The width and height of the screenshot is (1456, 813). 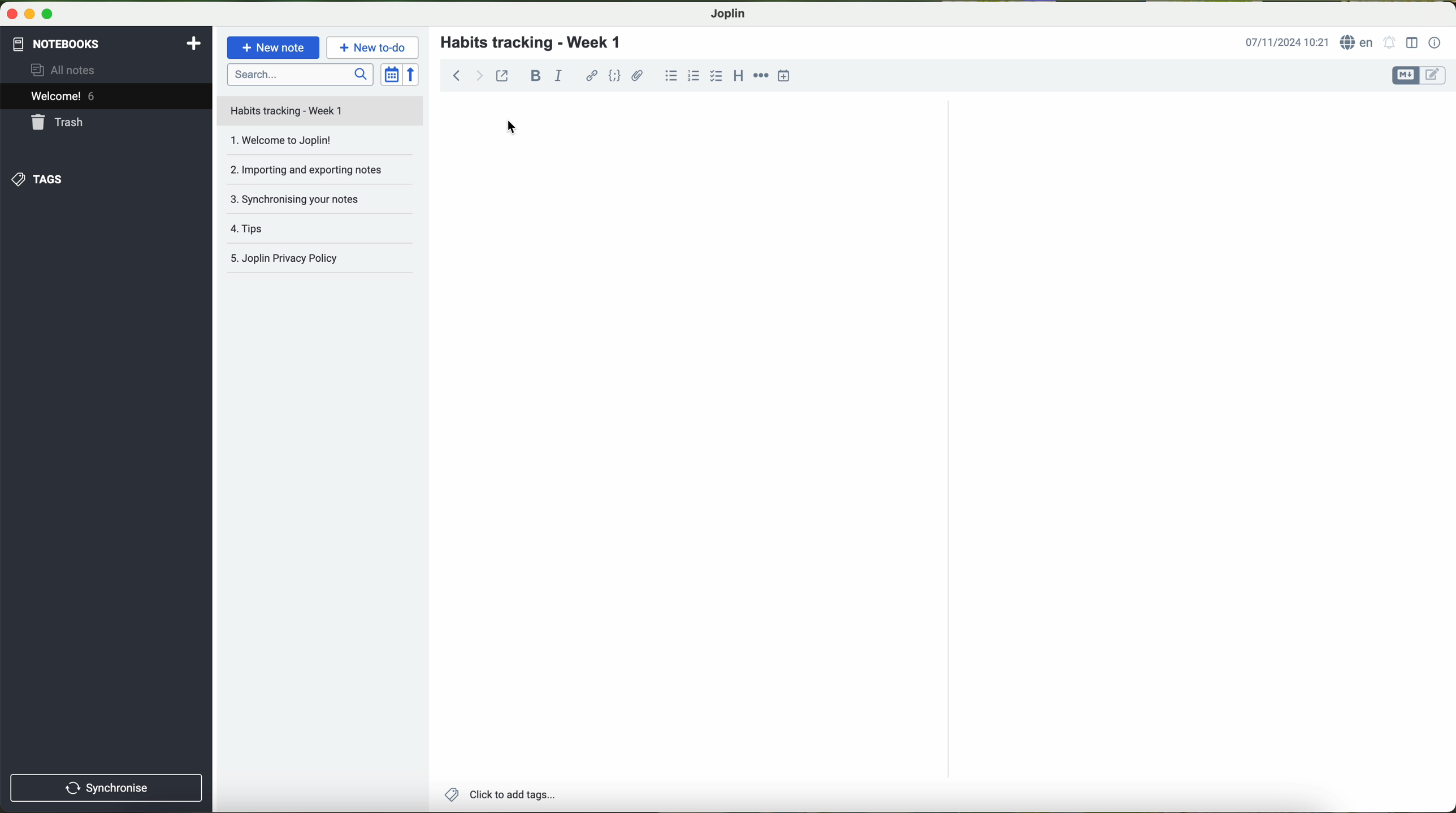 What do you see at coordinates (9, 12) in the screenshot?
I see `close` at bounding box center [9, 12].